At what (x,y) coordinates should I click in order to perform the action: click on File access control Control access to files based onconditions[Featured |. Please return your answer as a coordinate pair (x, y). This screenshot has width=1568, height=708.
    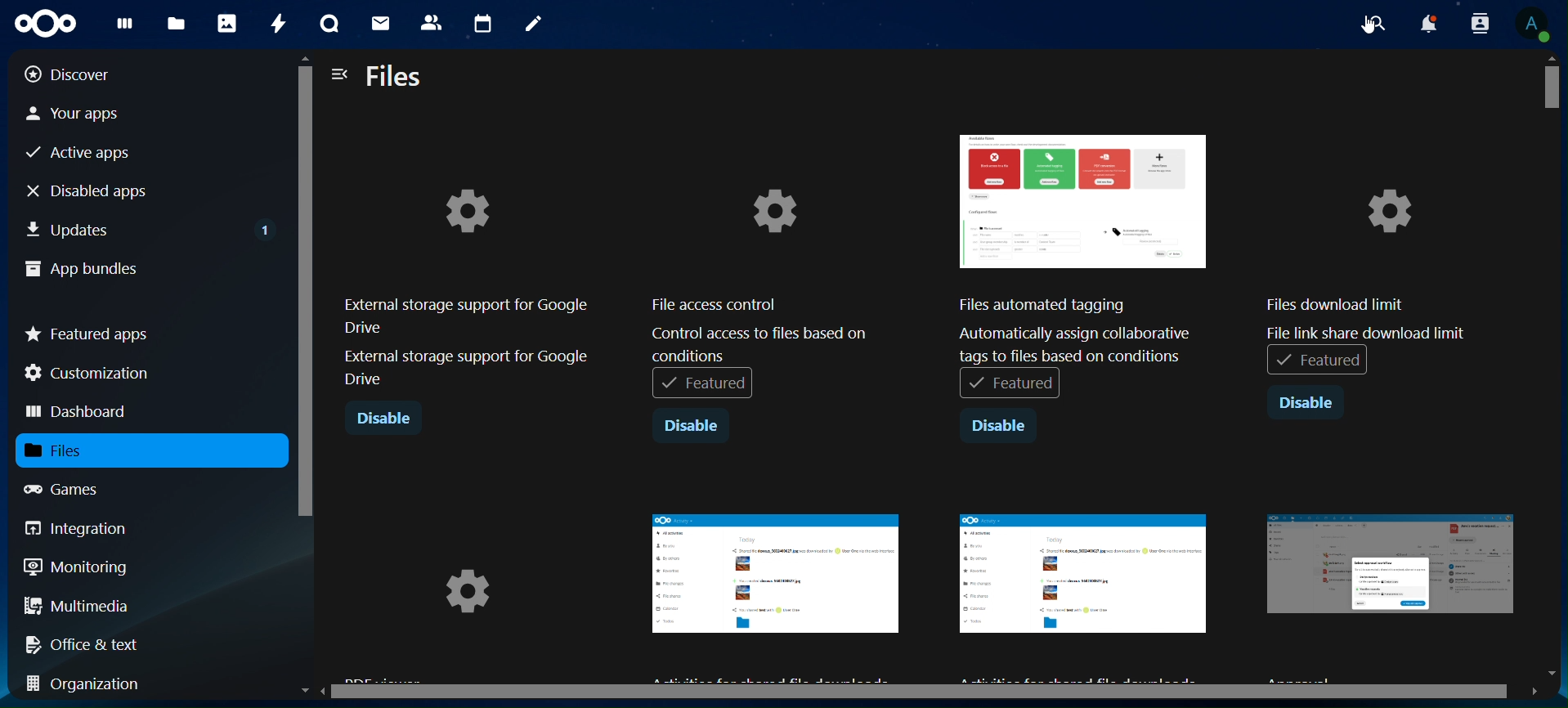
    Looking at the image, I should click on (761, 280).